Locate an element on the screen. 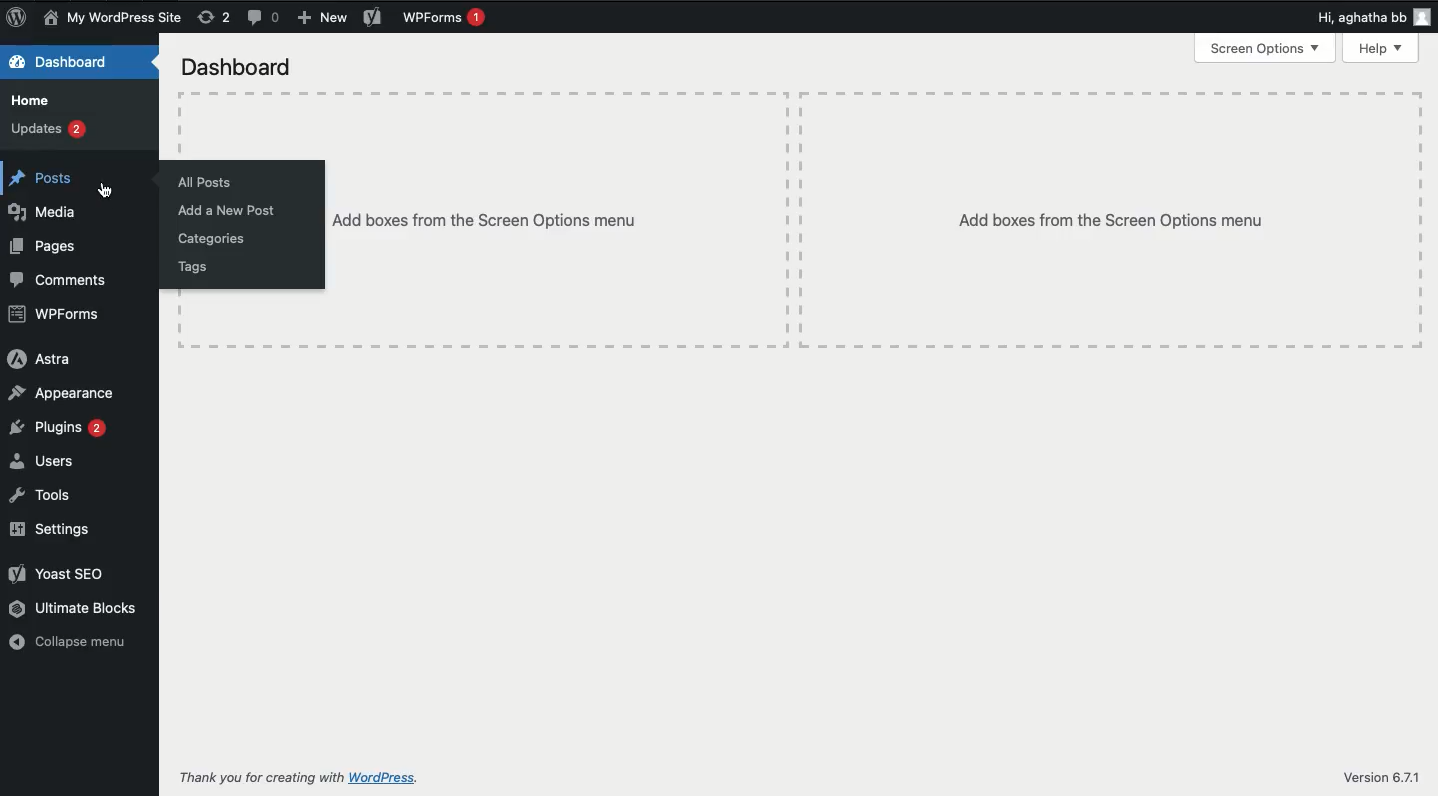 The image size is (1438, 796). Add new post is located at coordinates (234, 211).